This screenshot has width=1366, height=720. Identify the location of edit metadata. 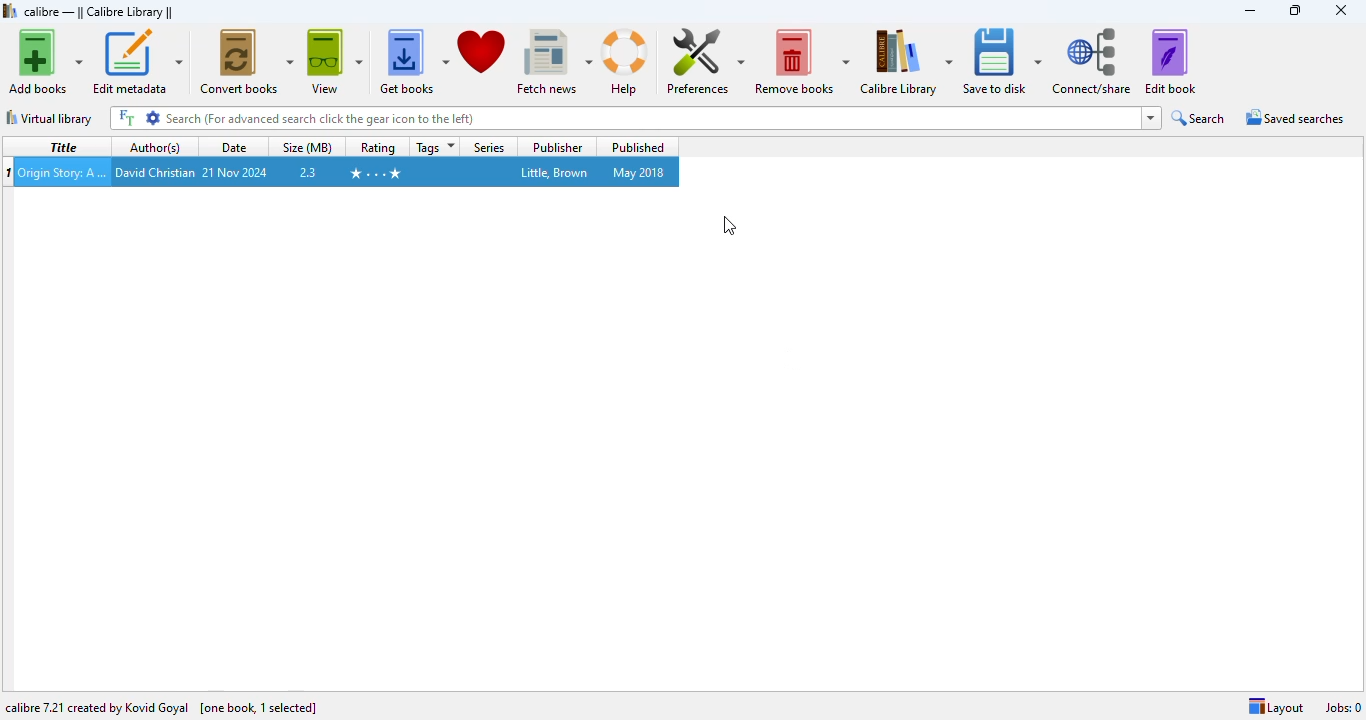
(137, 62).